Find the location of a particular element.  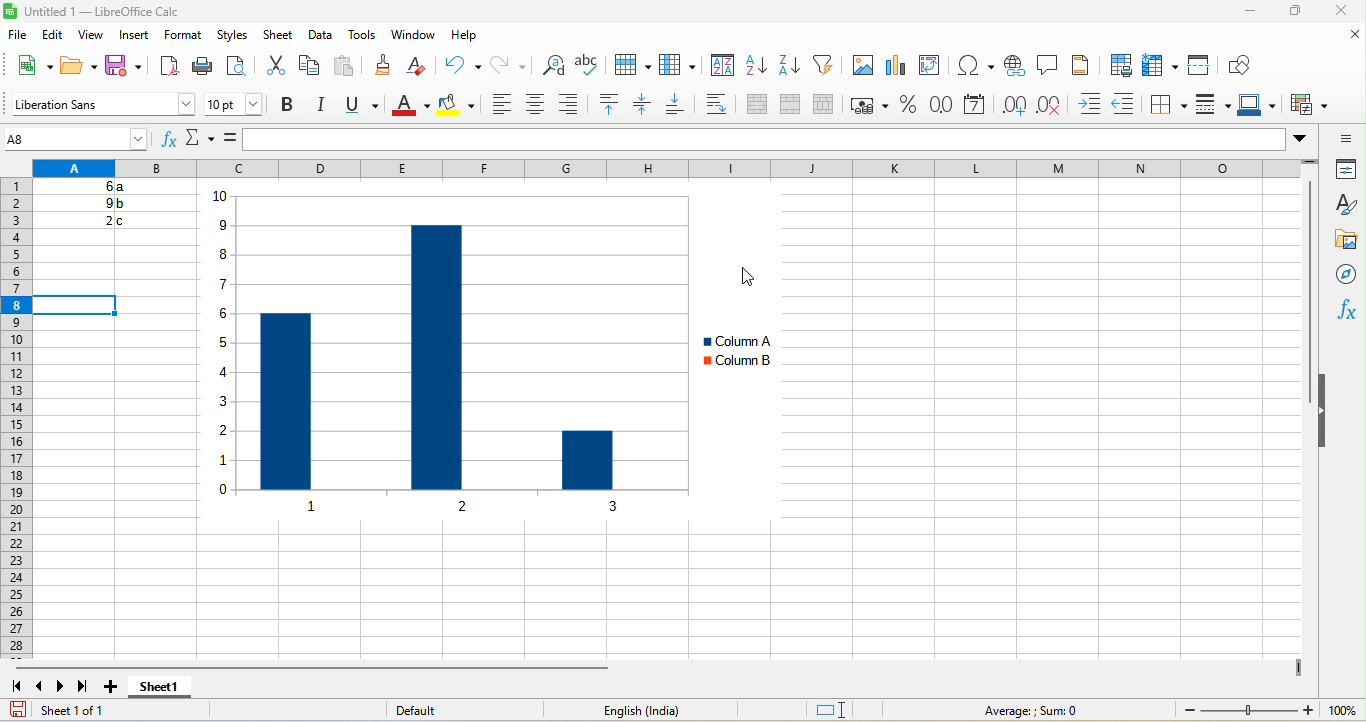

function wizard is located at coordinates (170, 140).